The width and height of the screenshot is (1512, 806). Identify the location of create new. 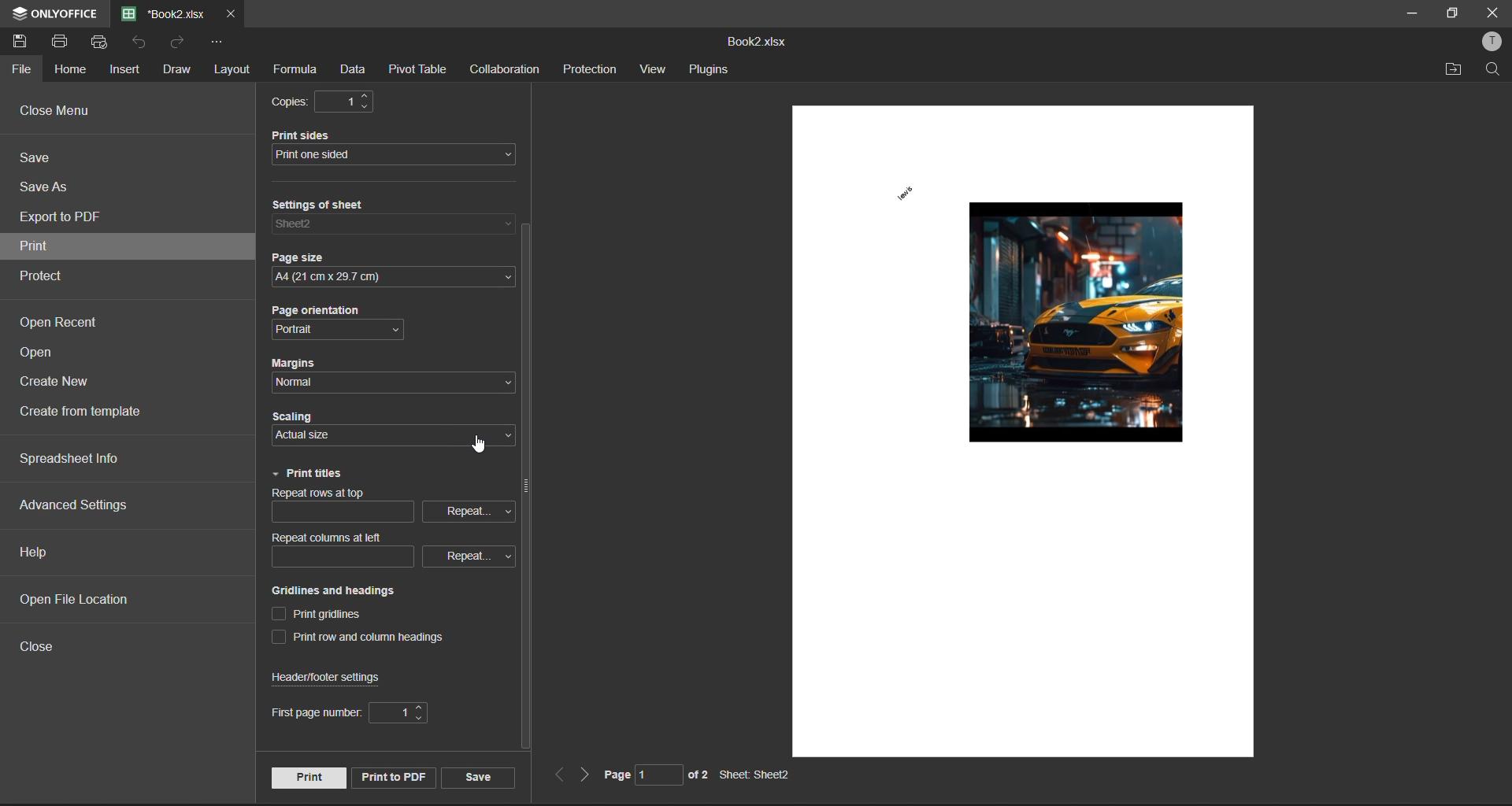
(59, 385).